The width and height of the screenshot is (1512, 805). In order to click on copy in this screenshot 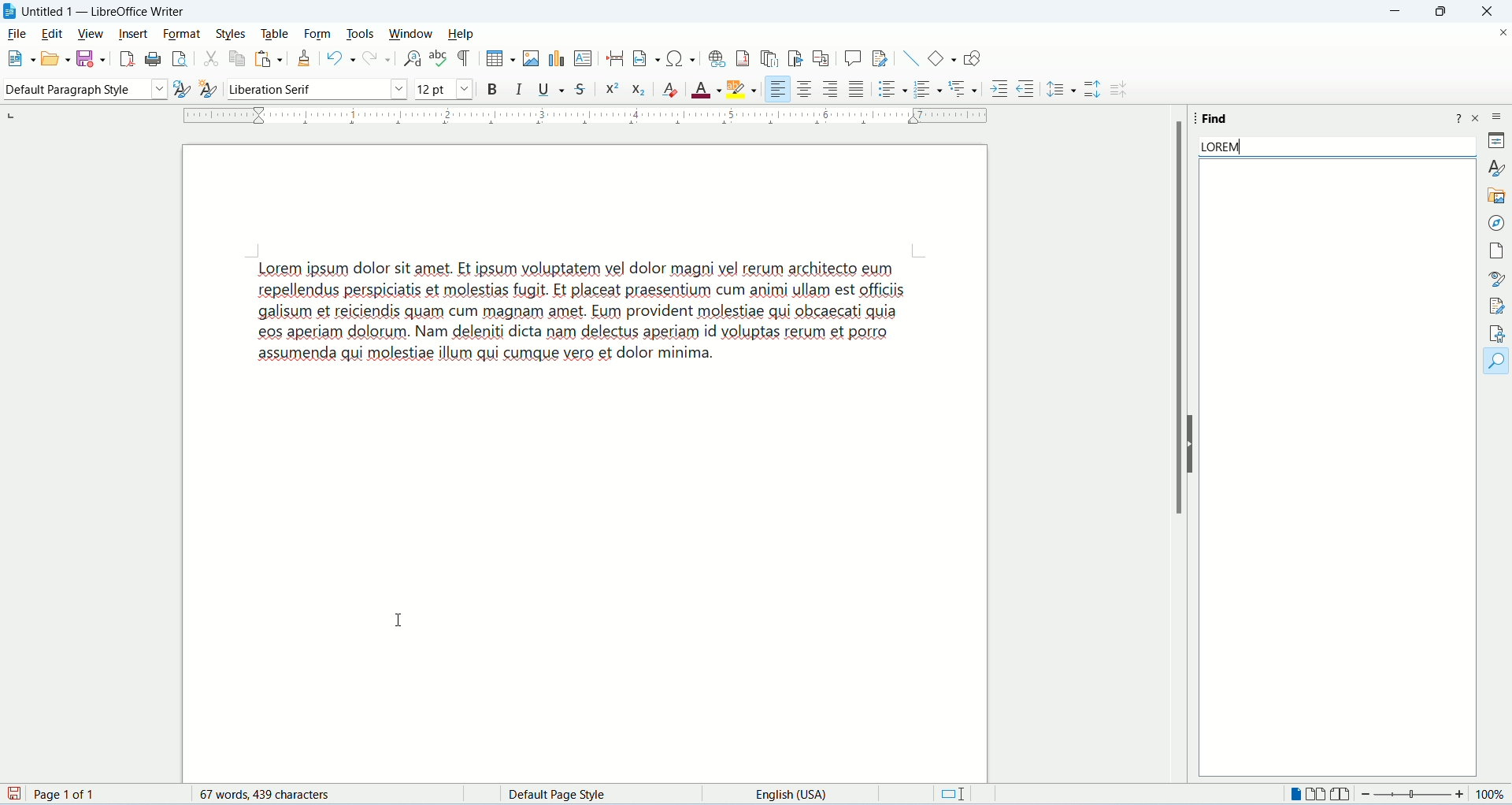, I will do `click(235, 57)`.